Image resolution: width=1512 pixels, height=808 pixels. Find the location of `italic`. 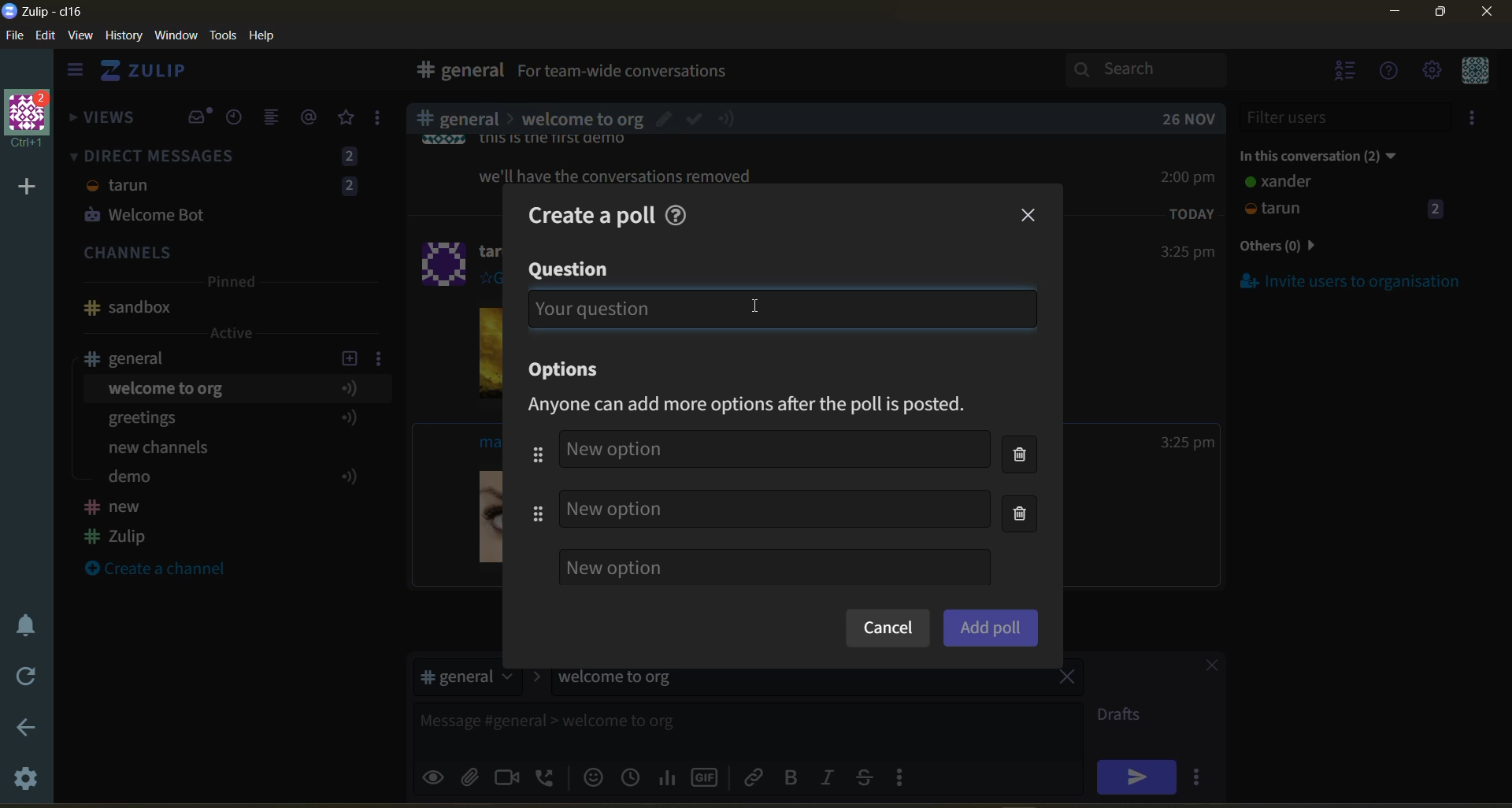

italic is located at coordinates (831, 779).